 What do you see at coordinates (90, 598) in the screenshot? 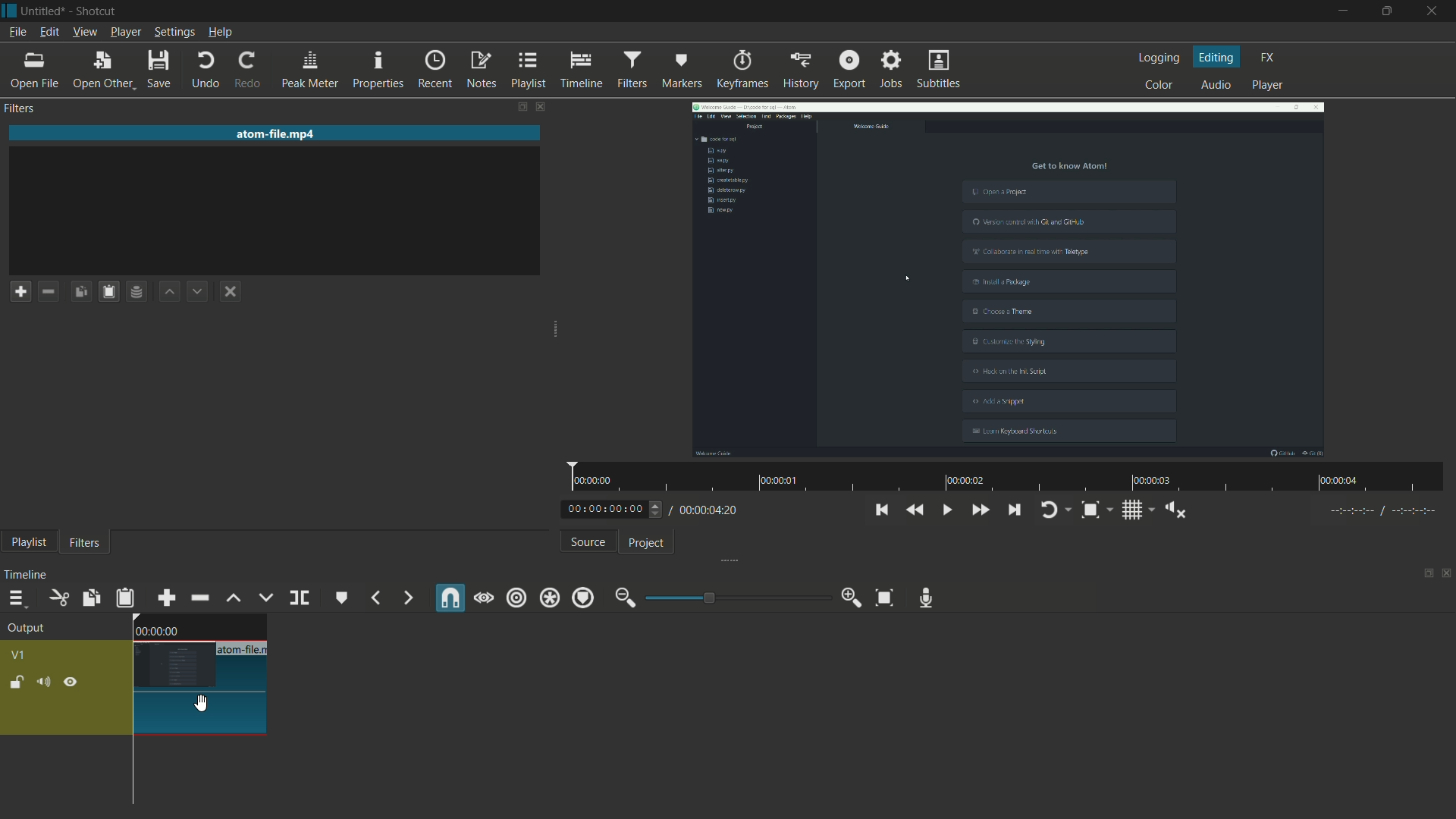
I see `copy` at bounding box center [90, 598].